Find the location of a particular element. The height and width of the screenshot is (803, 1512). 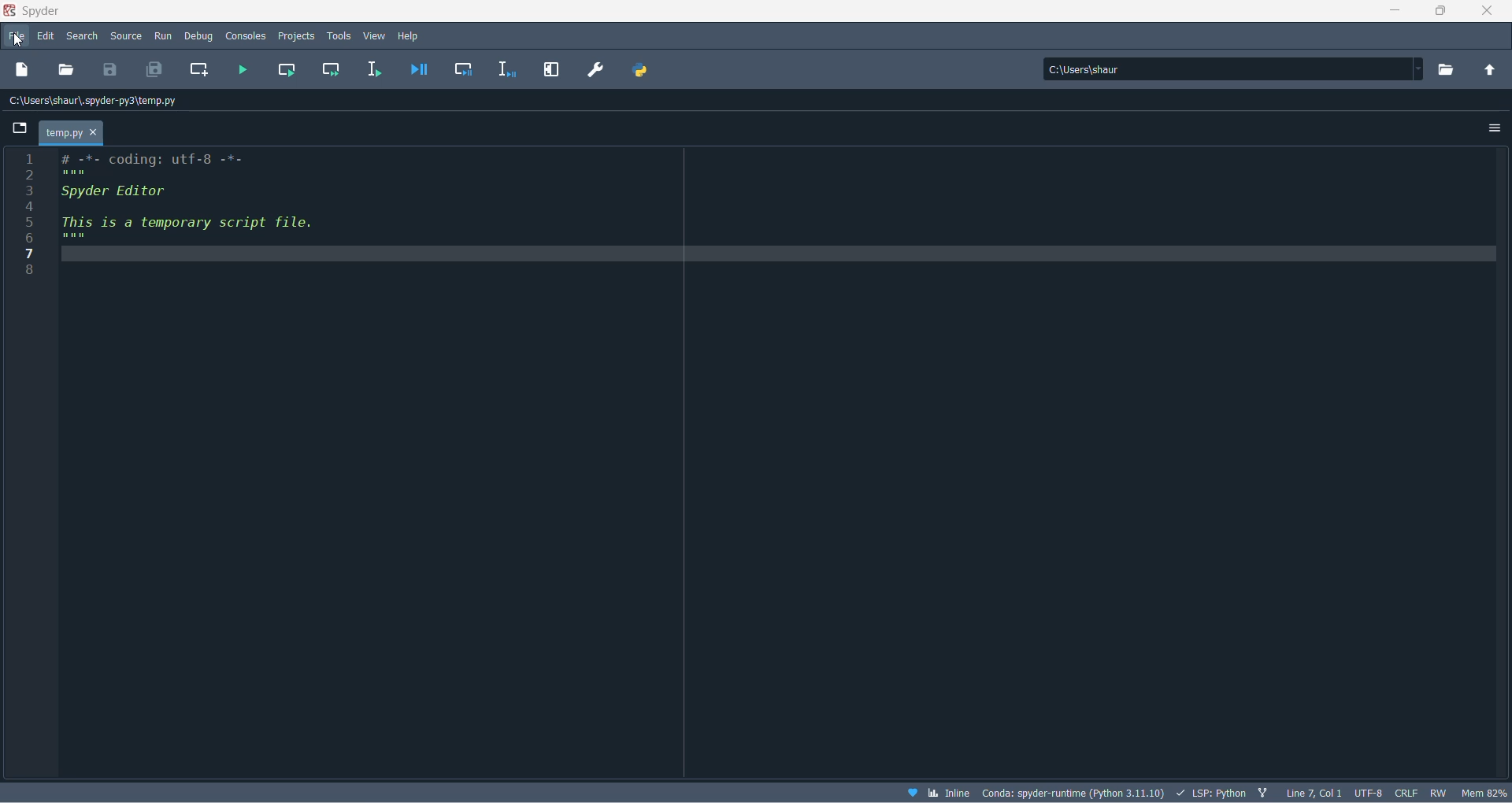

working directory is located at coordinates (1448, 70).